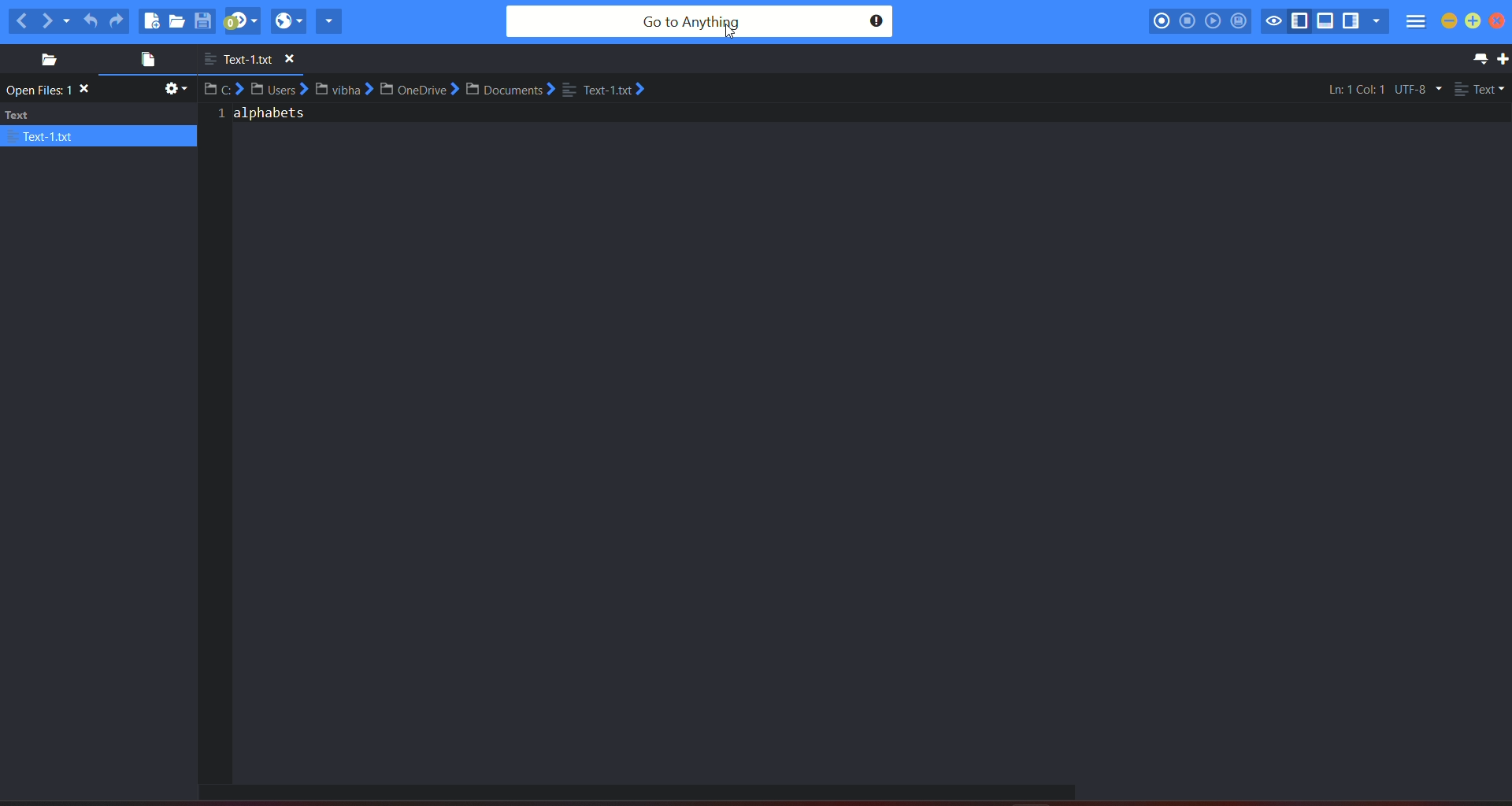 This screenshot has height=806, width=1512. What do you see at coordinates (143, 61) in the screenshot?
I see `open file` at bounding box center [143, 61].